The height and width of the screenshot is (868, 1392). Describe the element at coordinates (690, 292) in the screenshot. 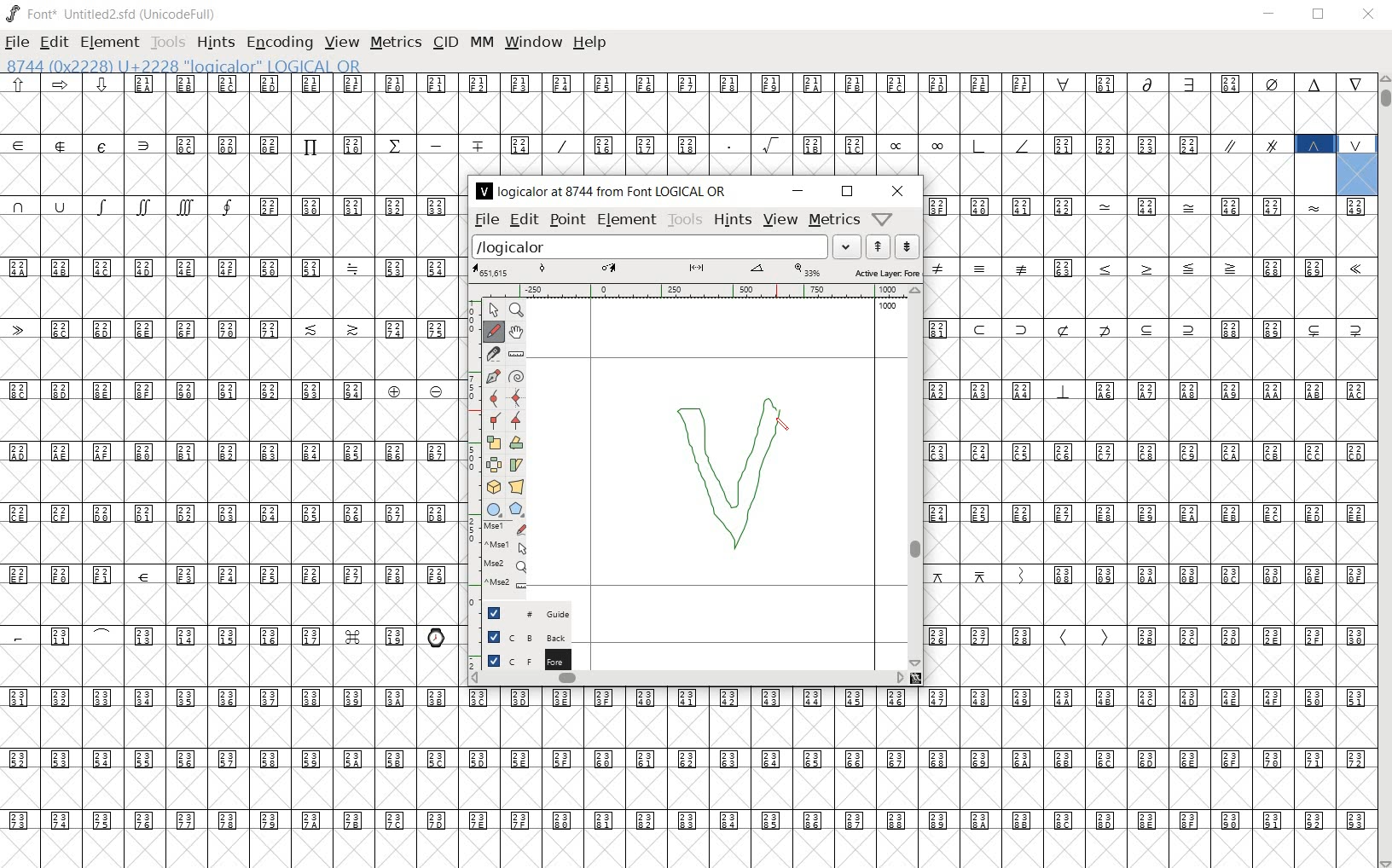

I see `ruler` at that location.